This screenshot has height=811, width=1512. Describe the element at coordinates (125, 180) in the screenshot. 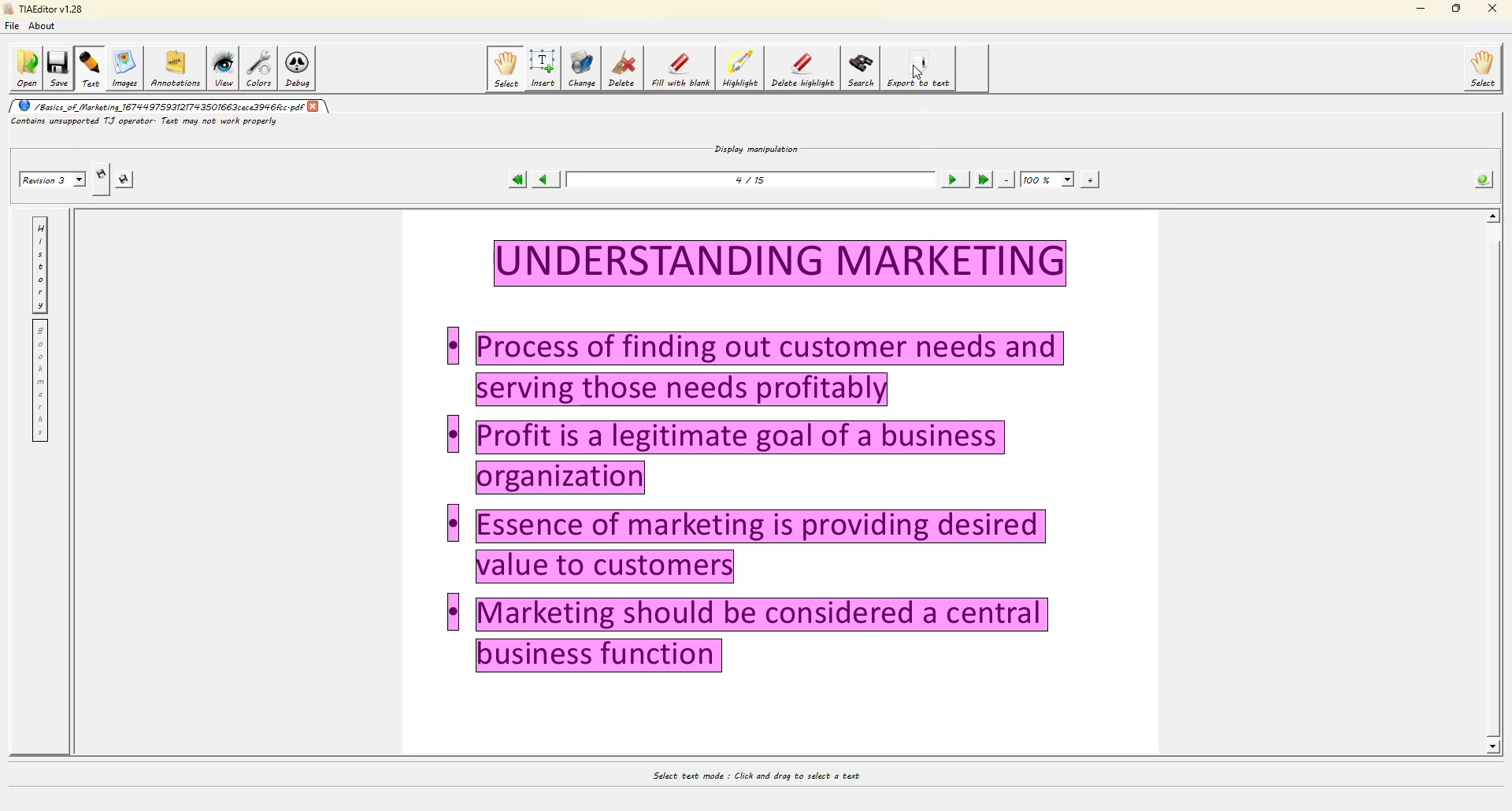

I see `save` at that location.